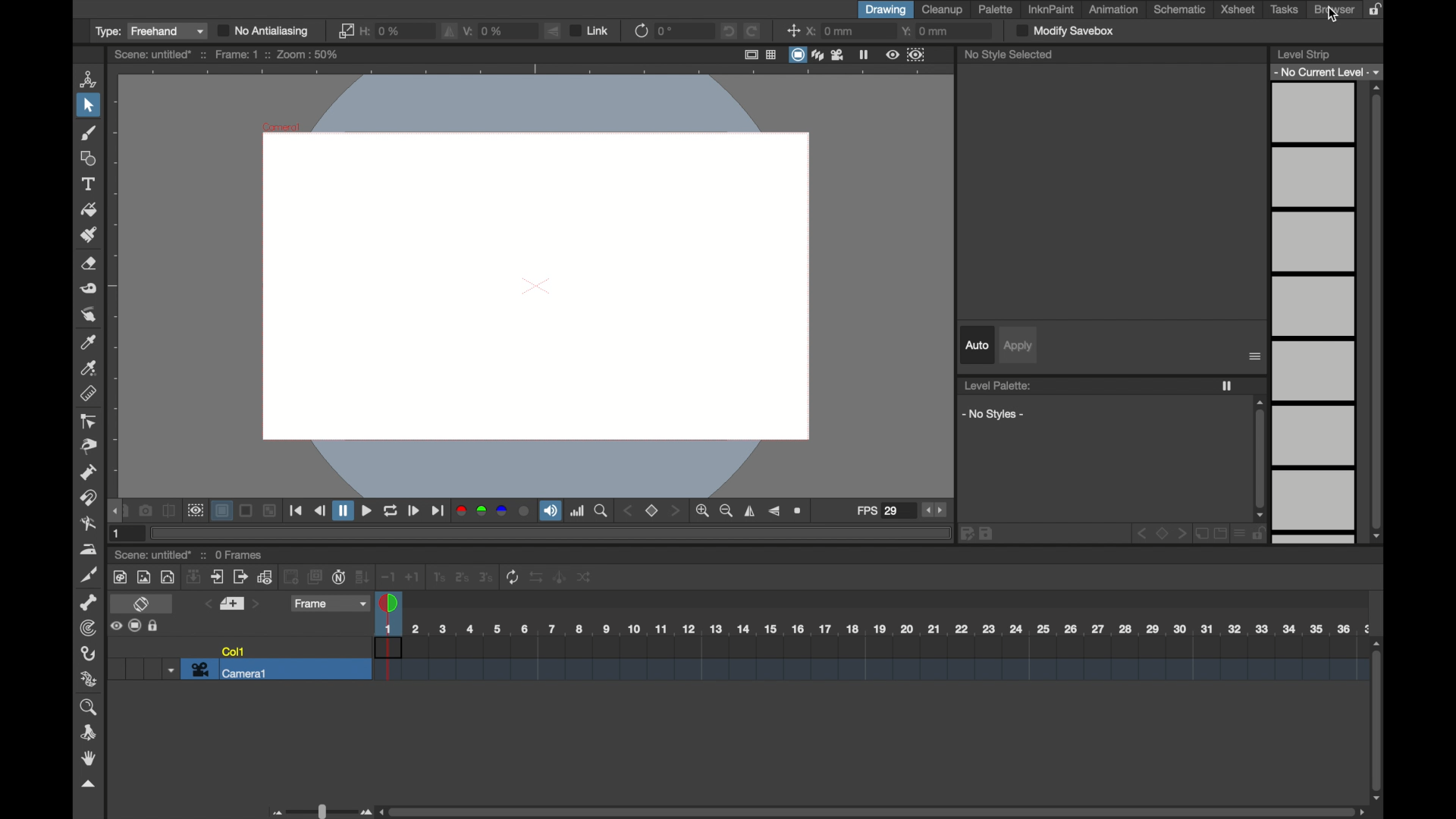  What do you see at coordinates (121, 577) in the screenshot?
I see `paint` at bounding box center [121, 577].